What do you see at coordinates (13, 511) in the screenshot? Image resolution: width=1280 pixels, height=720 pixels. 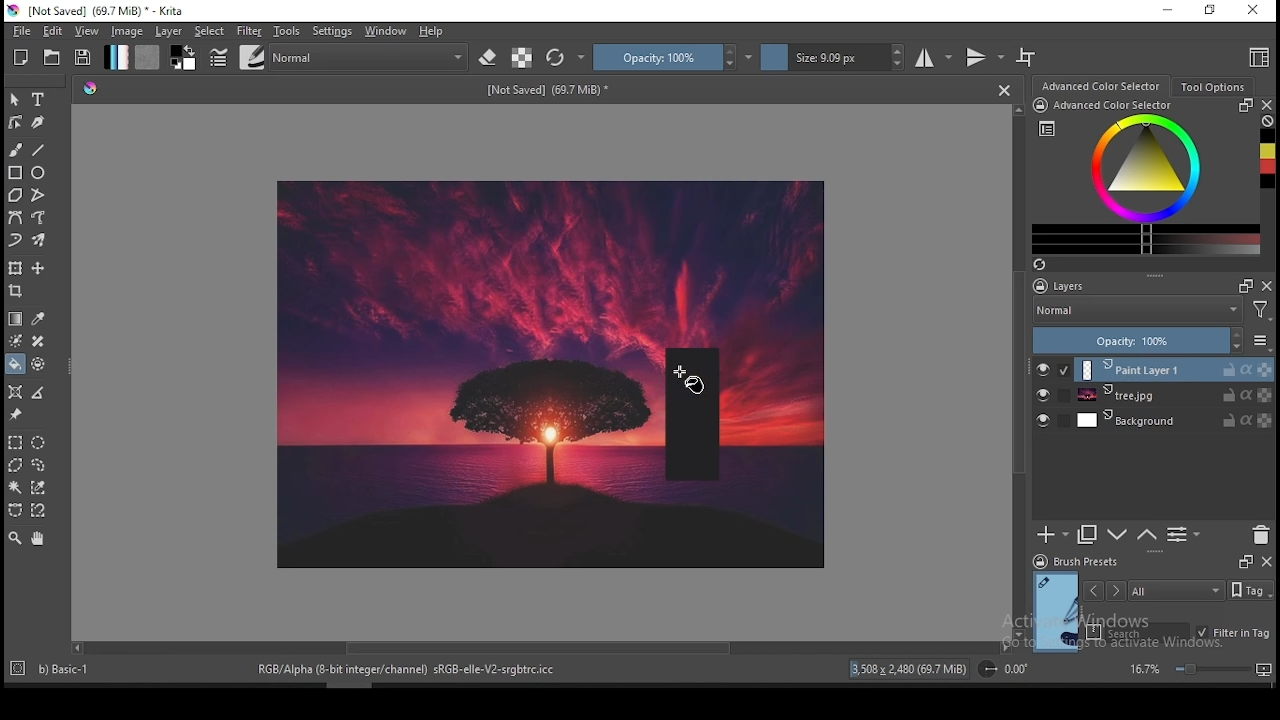 I see `bezier curve selection tool` at bounding box center [13, 511].